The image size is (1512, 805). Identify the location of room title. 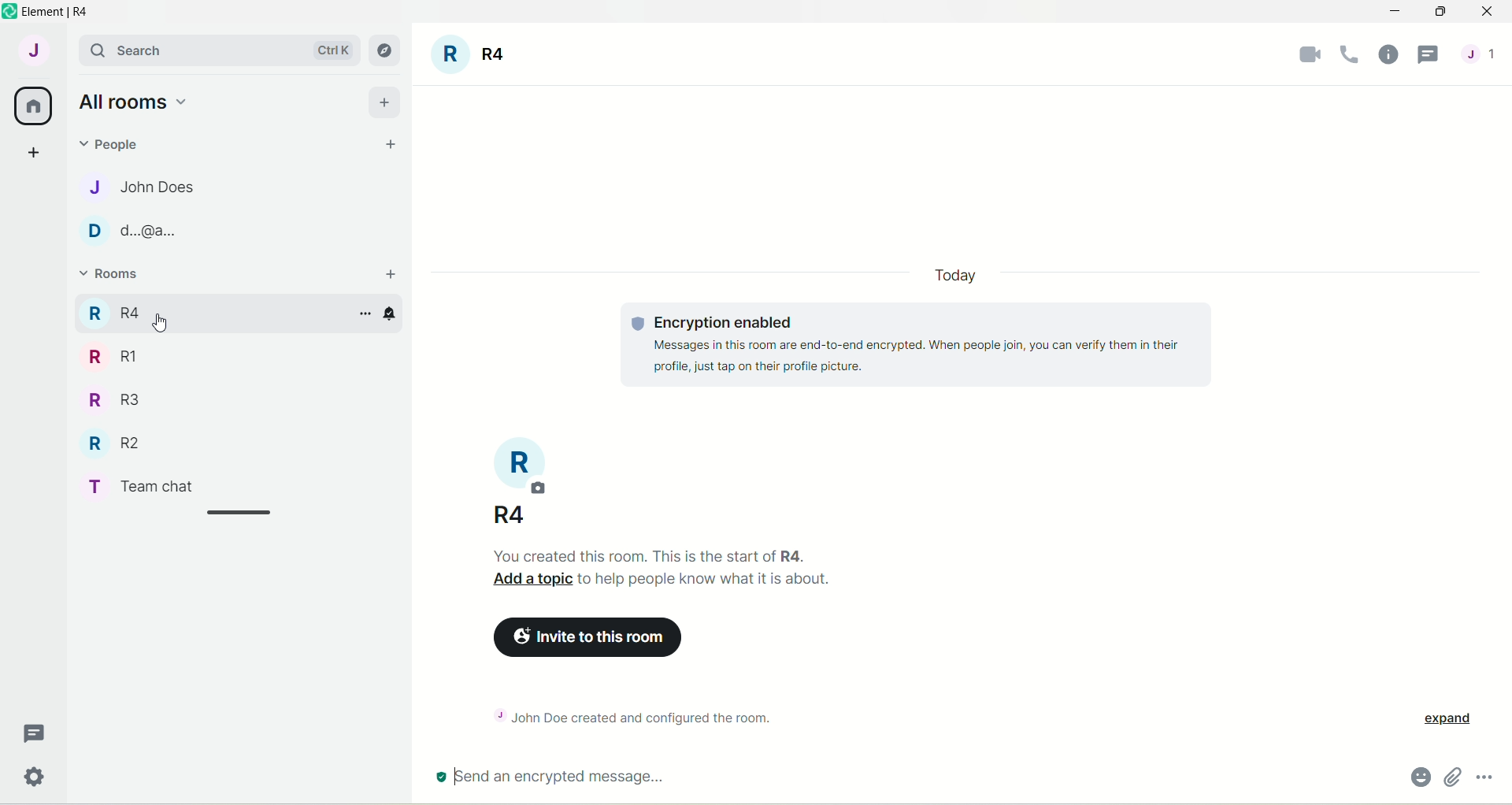
(526, 466).